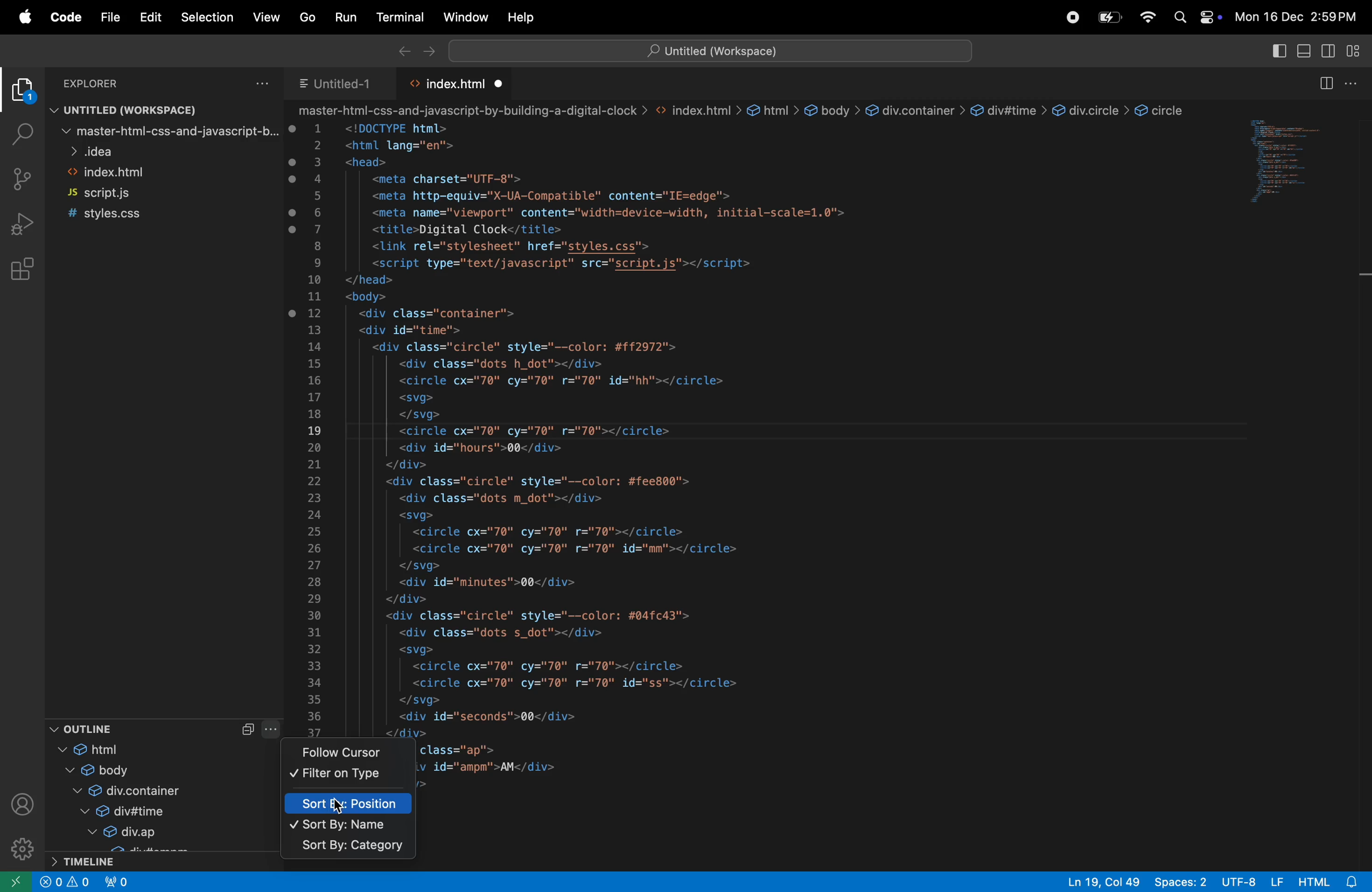 This screenshot has width=1372, height=892. What do you see at coordinates (1107, 17) in the screenshot?
I see `battery` at bounding box center [1107, 17].